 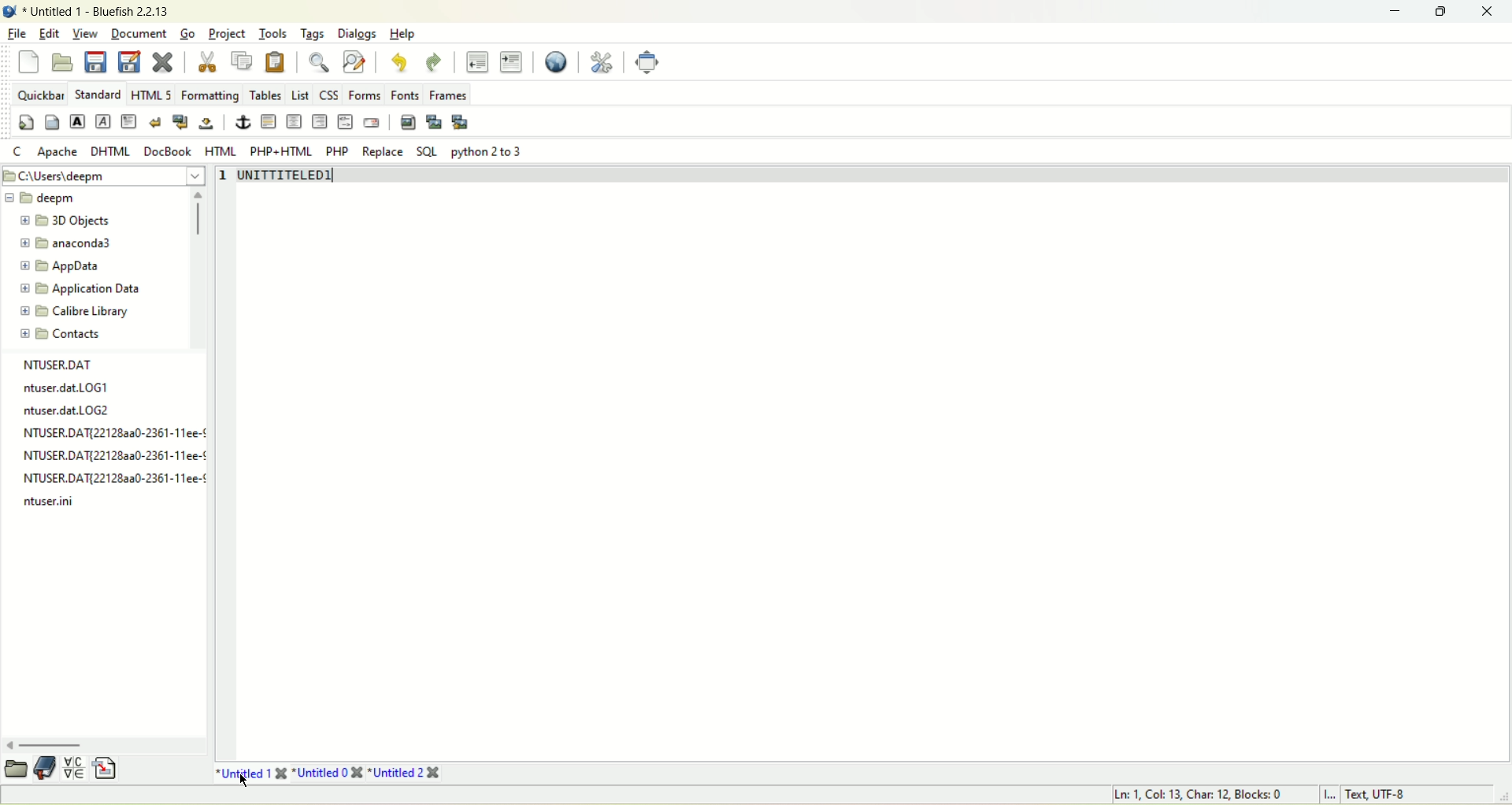 What do you see at coordinates (70, 218) in the screenshot?
I see `3D objects` at bounding box center [70, 218].